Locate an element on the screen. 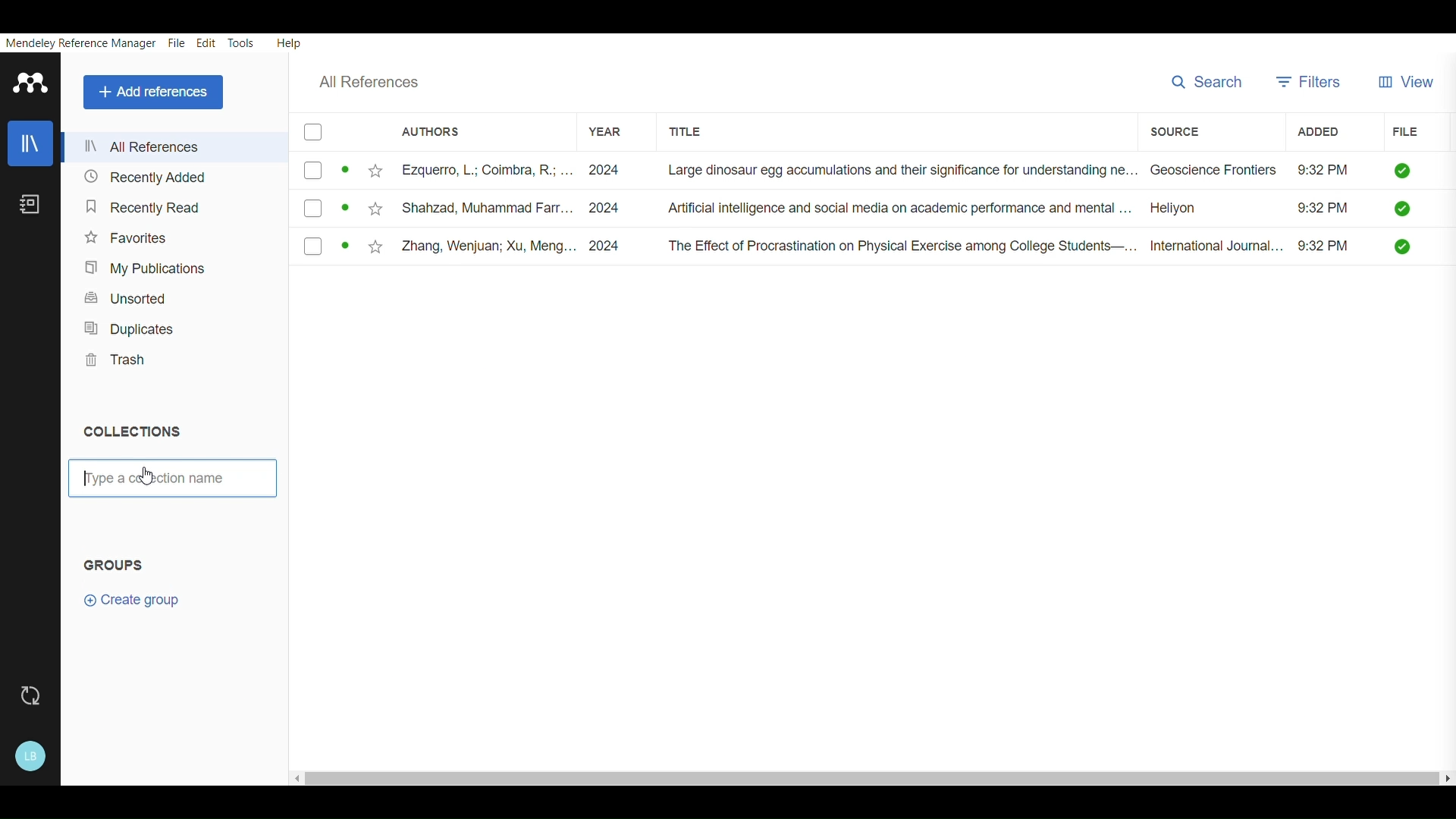 This screenshot has height=819, width=1456. Mendeley Logo is located at coordinates (31, 82).